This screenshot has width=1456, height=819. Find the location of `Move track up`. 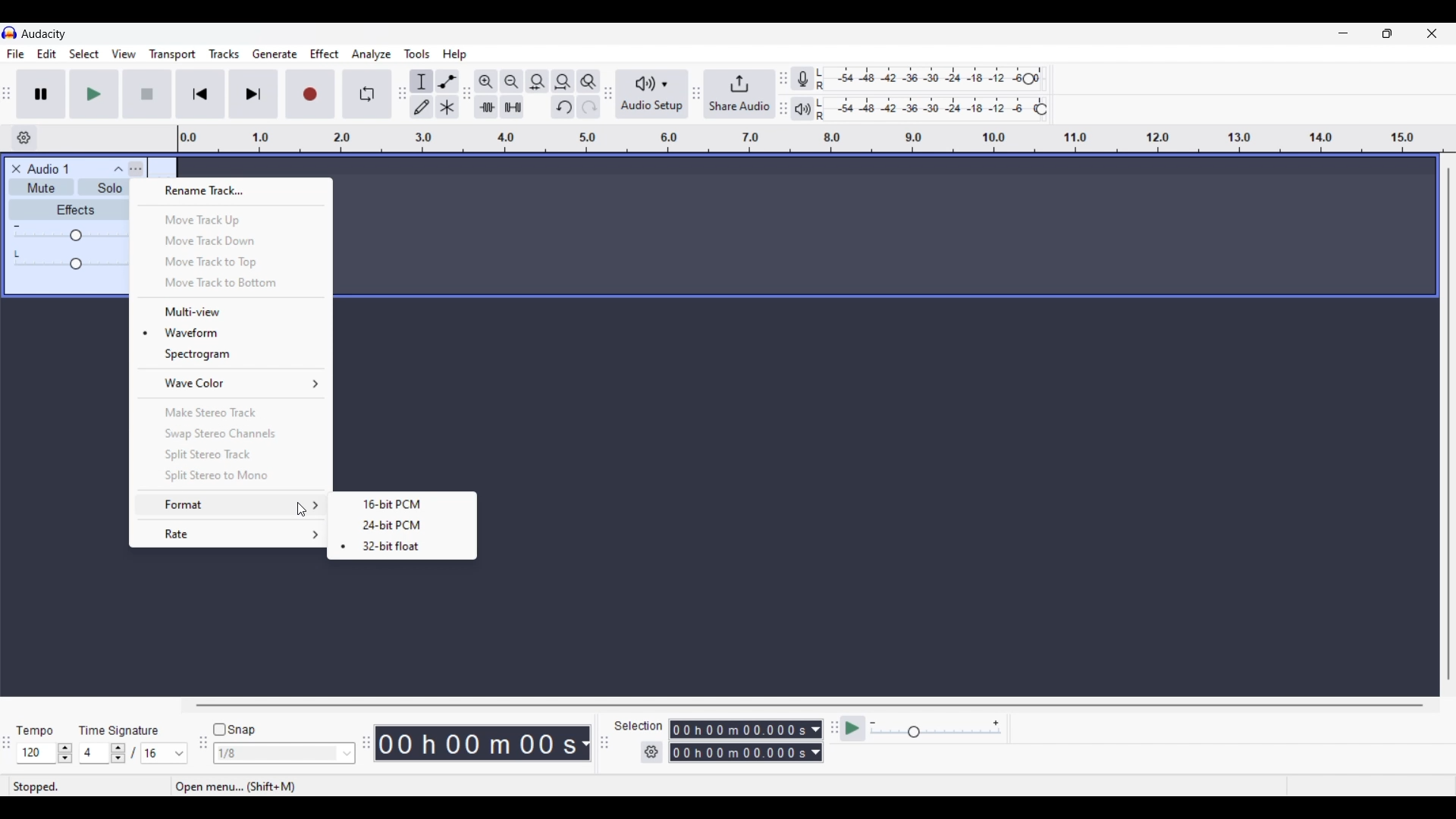

Move track up is located at coordinates (232, 220).